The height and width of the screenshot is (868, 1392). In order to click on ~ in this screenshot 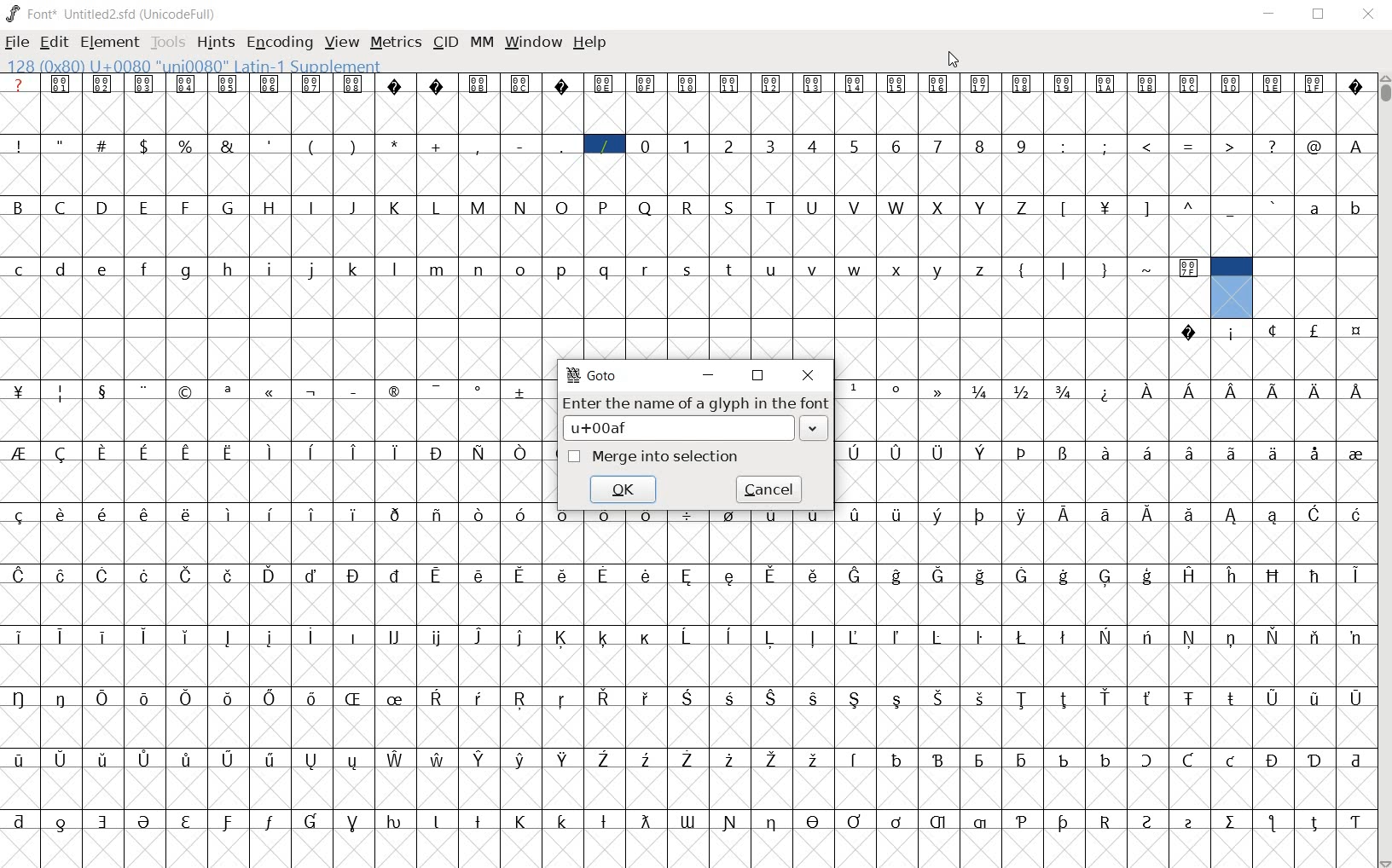, I will do `click(1149, 266)`.